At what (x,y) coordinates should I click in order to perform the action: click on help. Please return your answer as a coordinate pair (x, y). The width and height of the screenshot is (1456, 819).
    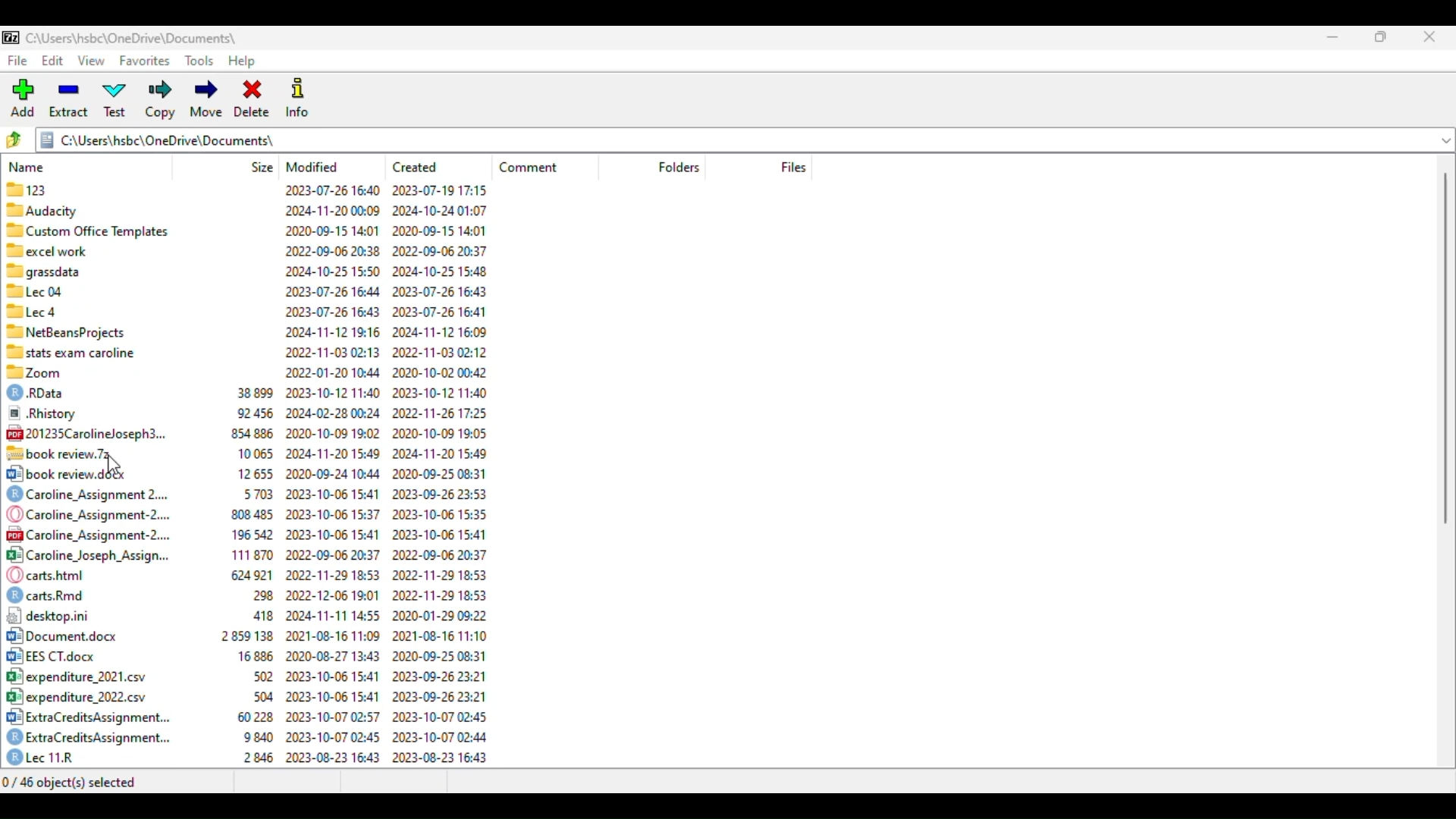
    Looking at the image, I should click on (242, 62).